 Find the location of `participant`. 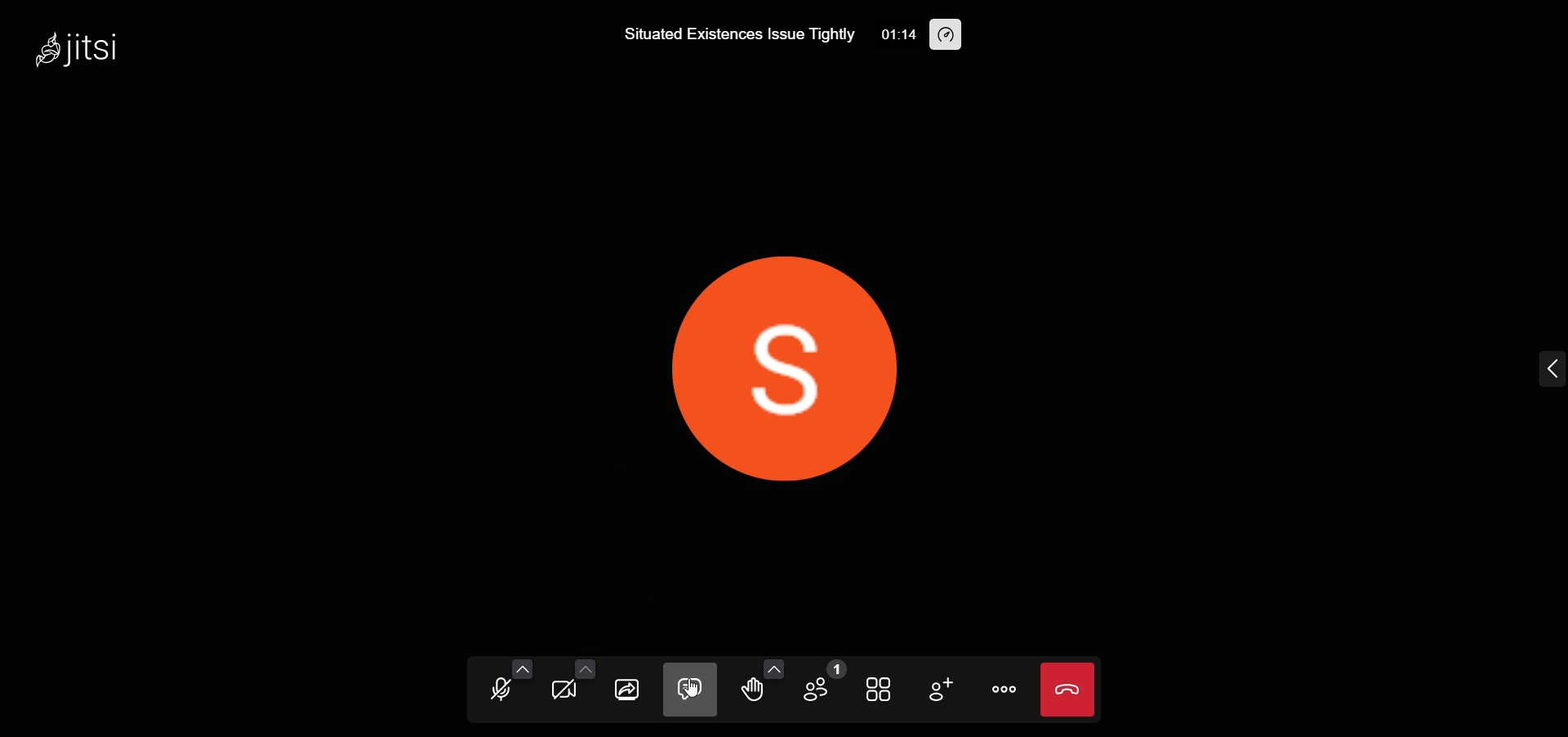

participant is located at coordinates (825, 683).